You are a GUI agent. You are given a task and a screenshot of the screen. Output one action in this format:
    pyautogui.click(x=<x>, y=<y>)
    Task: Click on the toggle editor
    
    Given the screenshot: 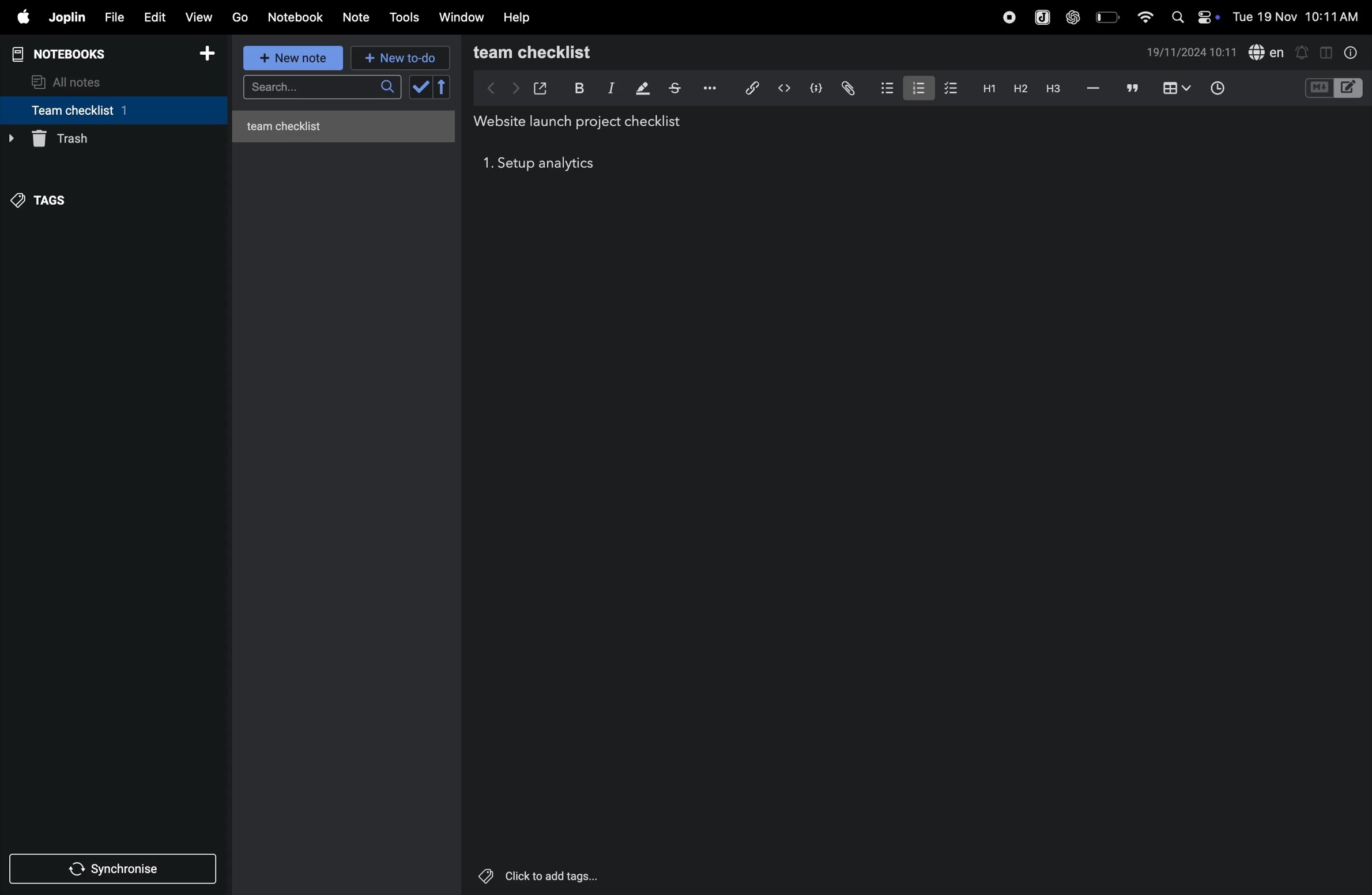 What is the action you would take?
    pyautogui.click(x=1322, y=52)
    